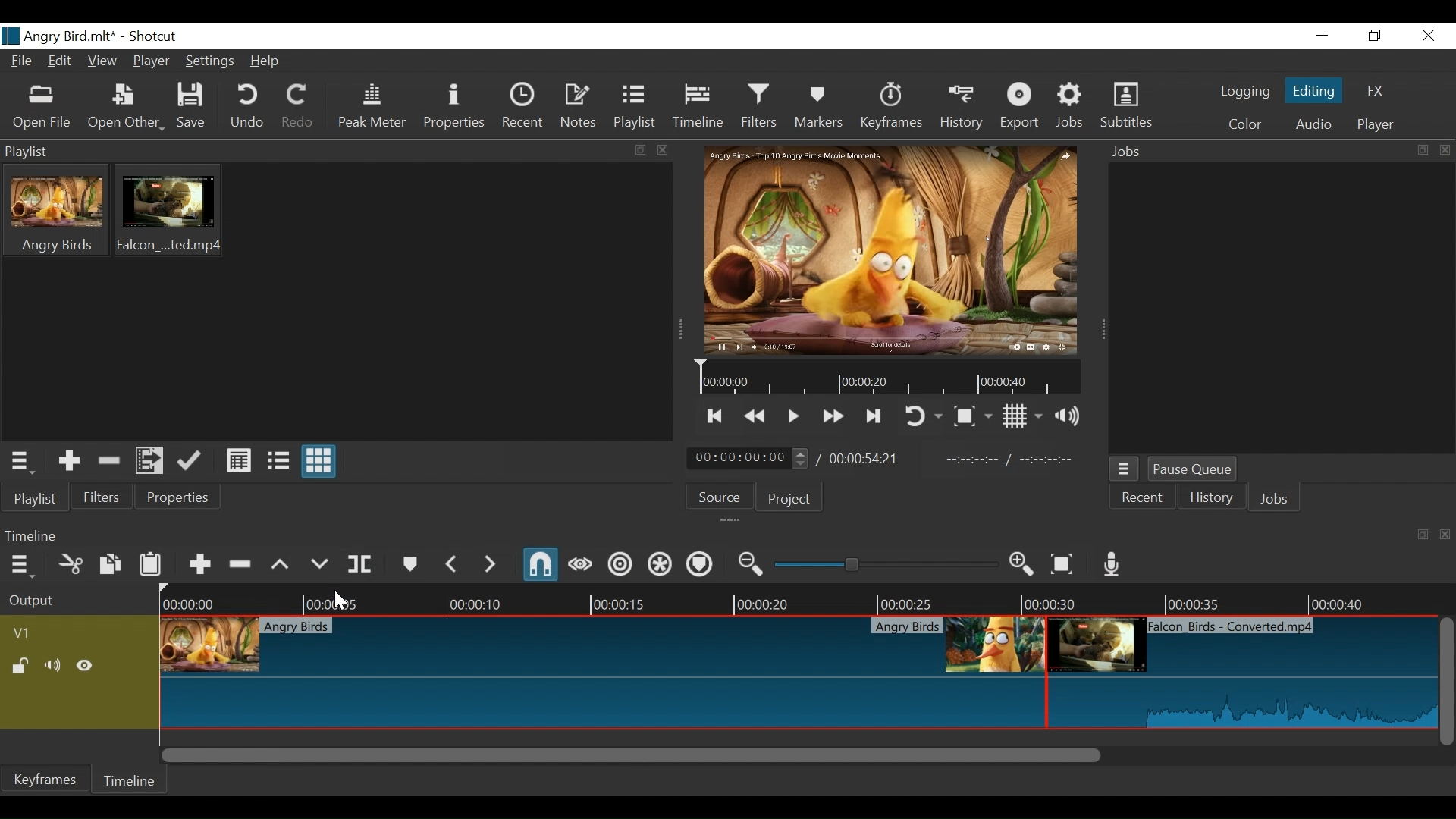  I want to click on Peak Meter, so click(372, 108).